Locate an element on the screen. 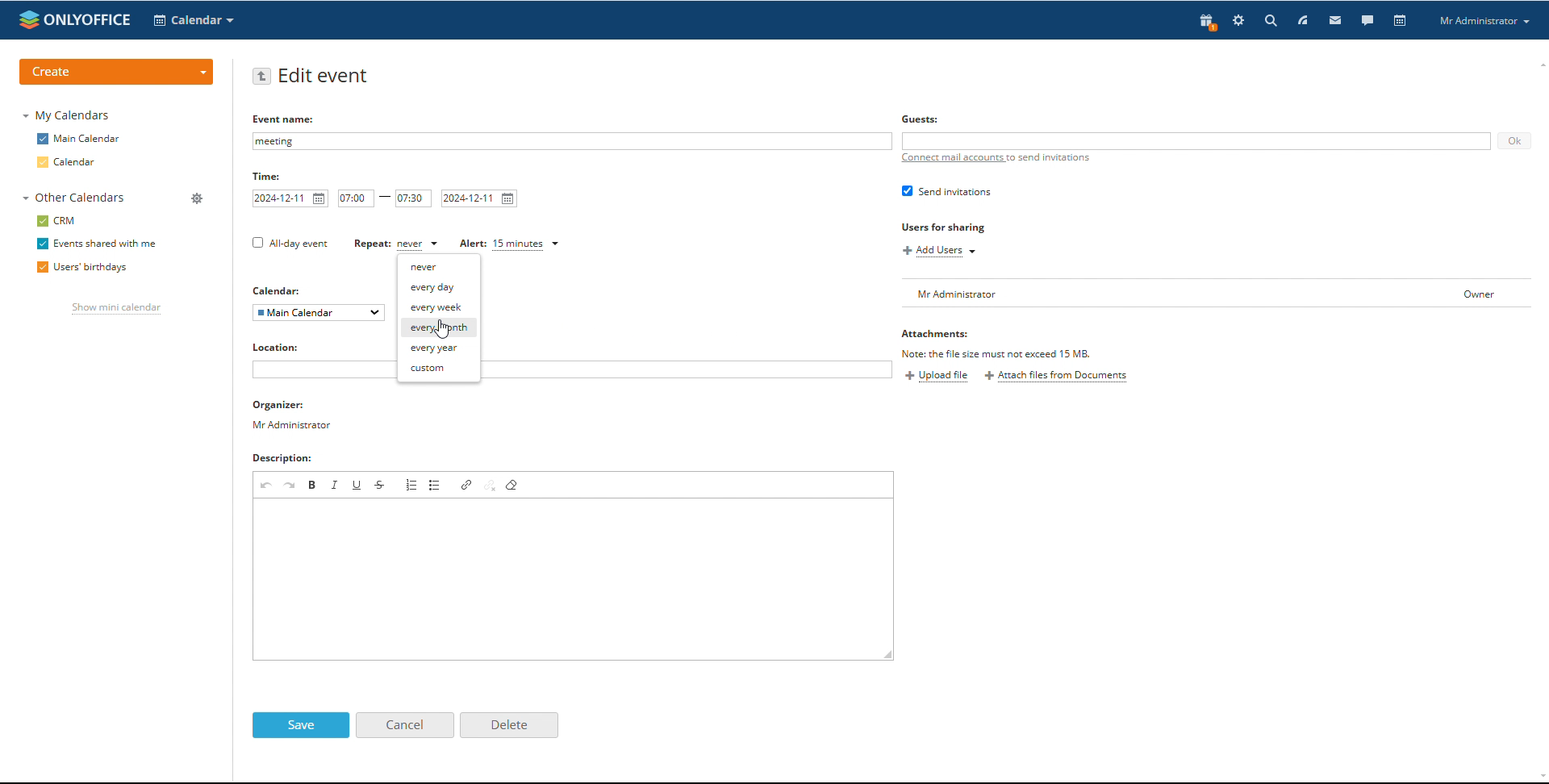 This screenshot has height=784, width=1549. ok is located at coordinates (1514, 141).